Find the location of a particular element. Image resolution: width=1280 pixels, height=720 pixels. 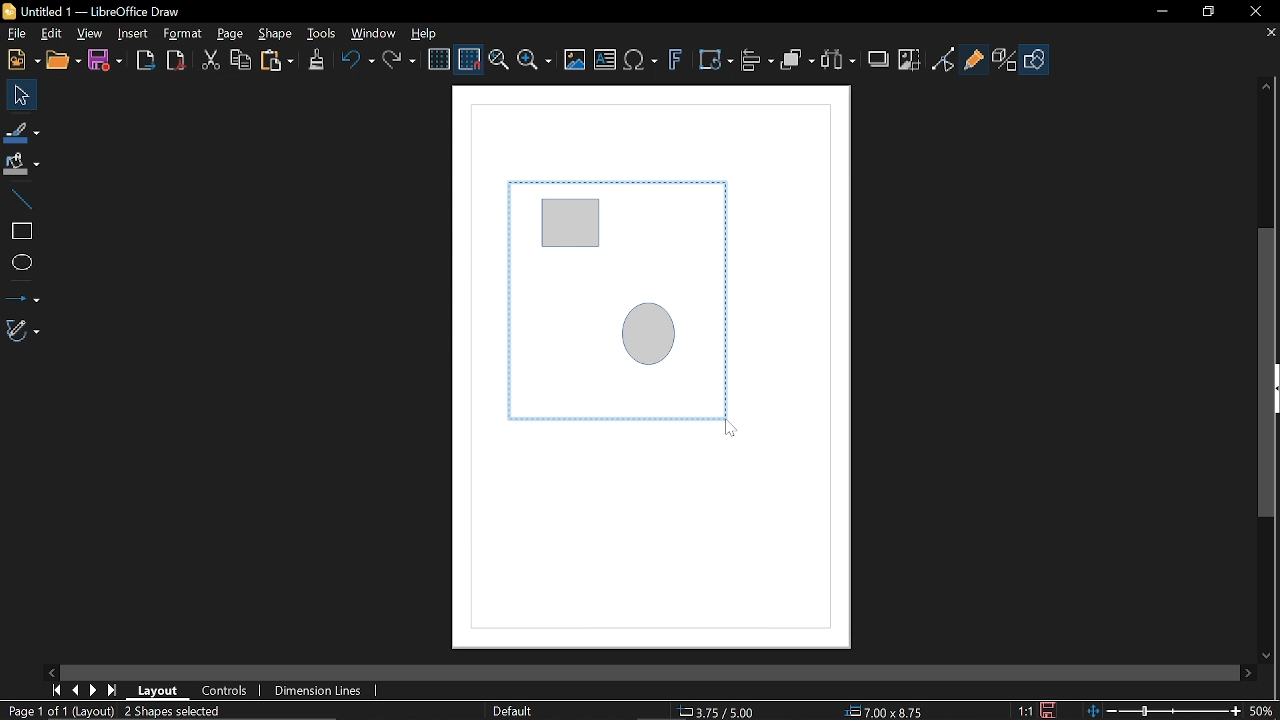

Slide master name is located at coordinates (517, 712).